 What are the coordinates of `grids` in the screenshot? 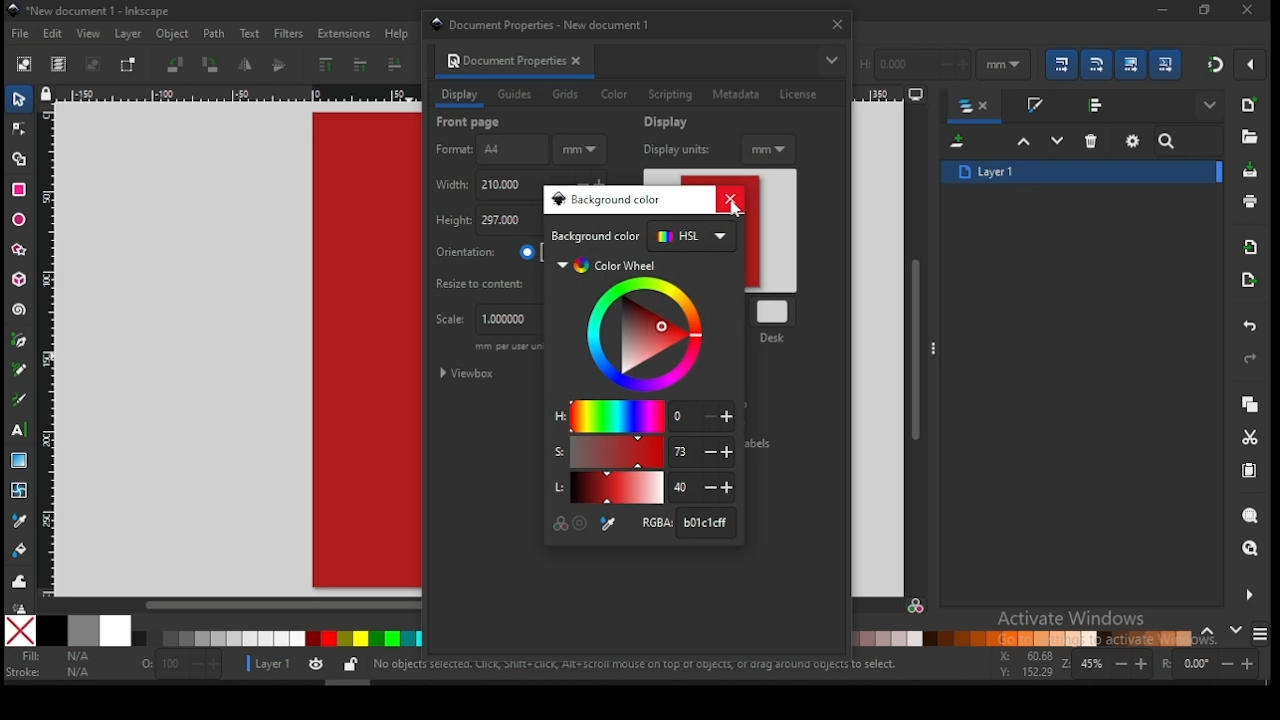 It's located at (565, 94).